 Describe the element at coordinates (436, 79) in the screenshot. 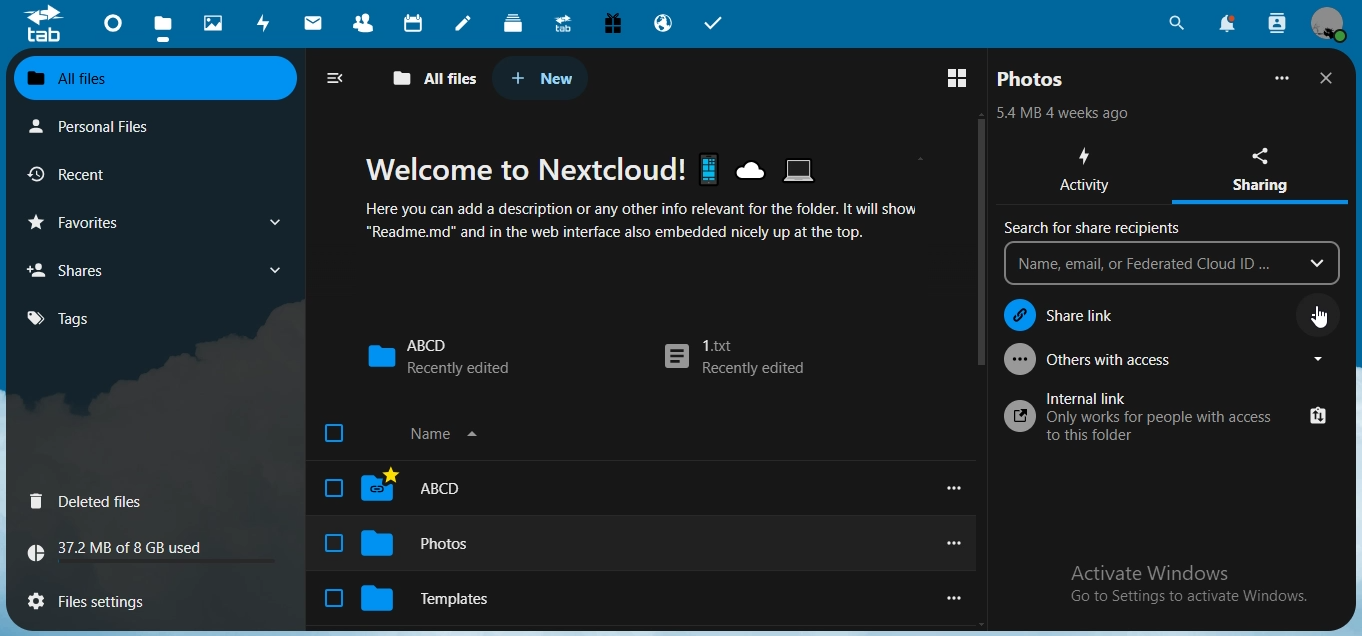

I see `all files` at that location.